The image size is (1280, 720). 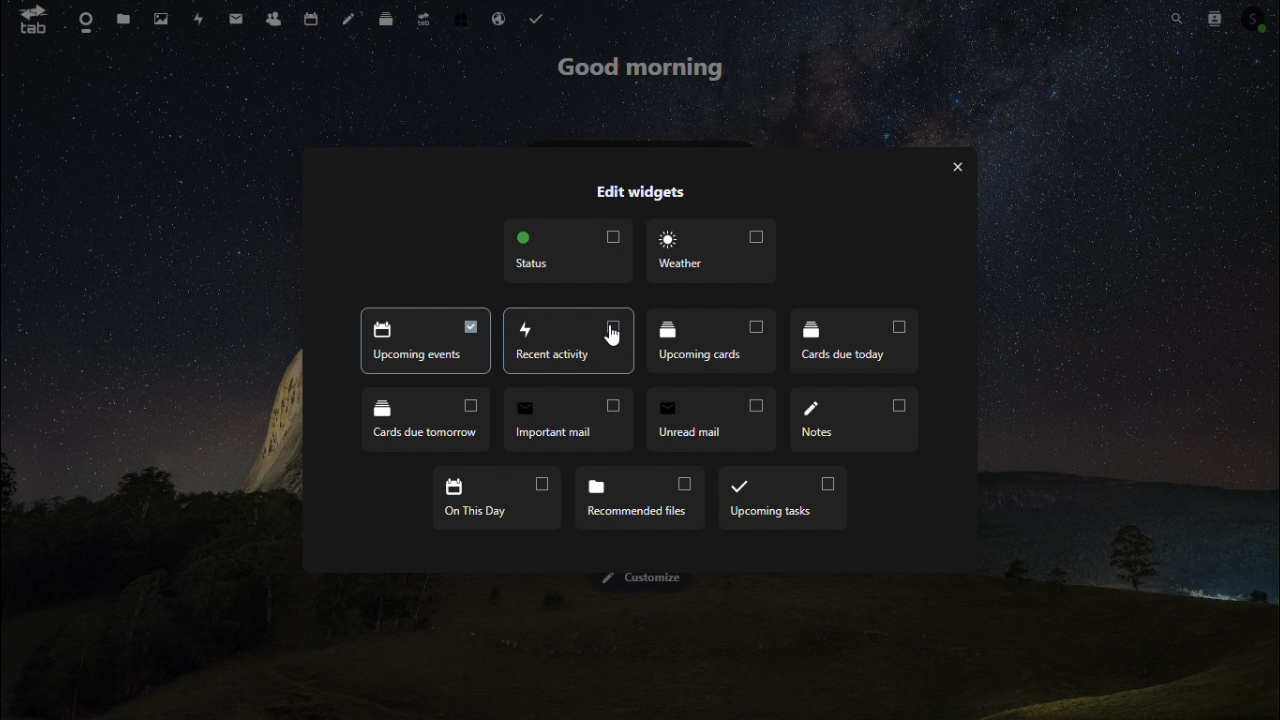 I want to click on Upcoming events, so click(x=568, y=340).